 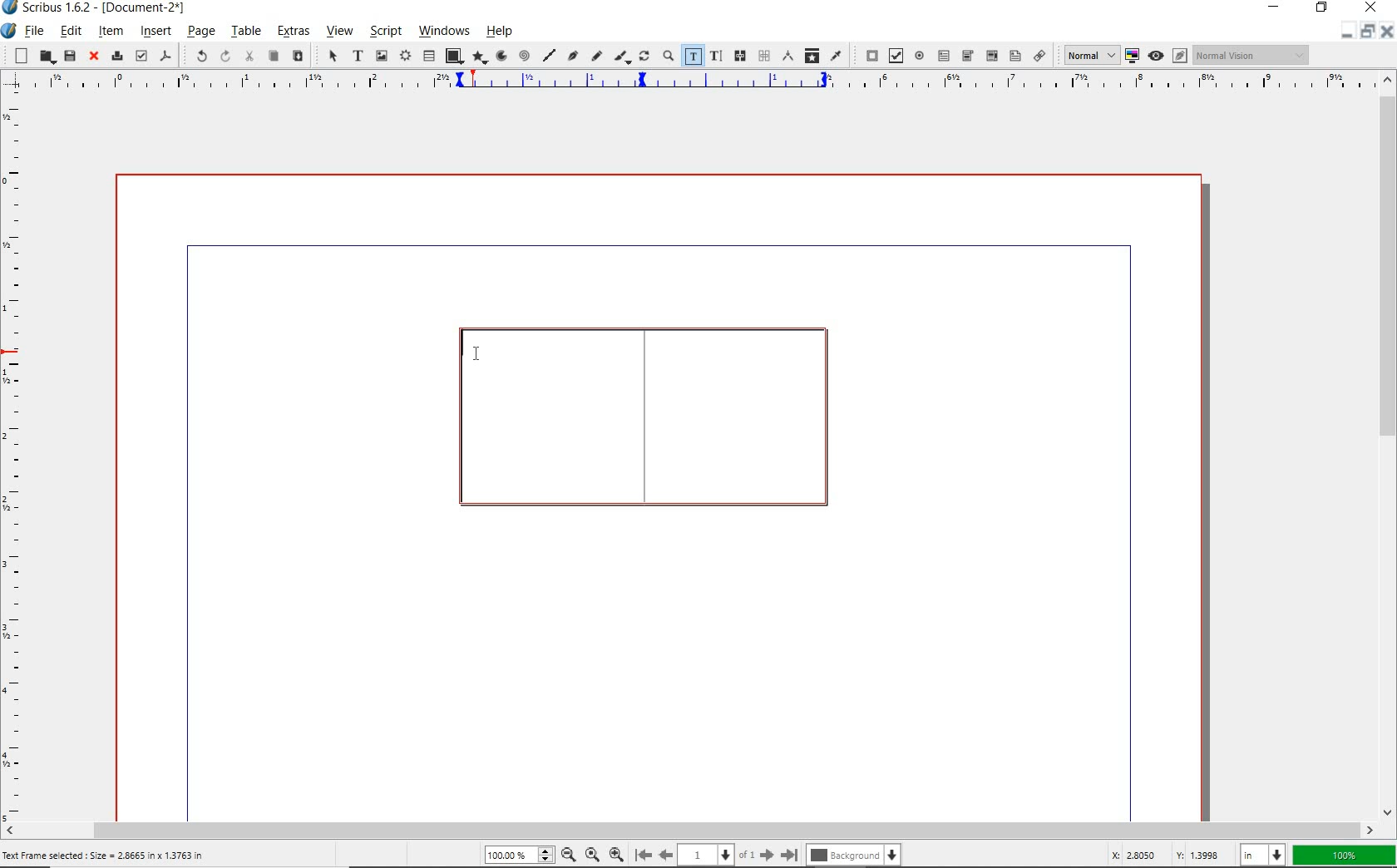 I want to click on preview mode, so click(x=1170, y=56).